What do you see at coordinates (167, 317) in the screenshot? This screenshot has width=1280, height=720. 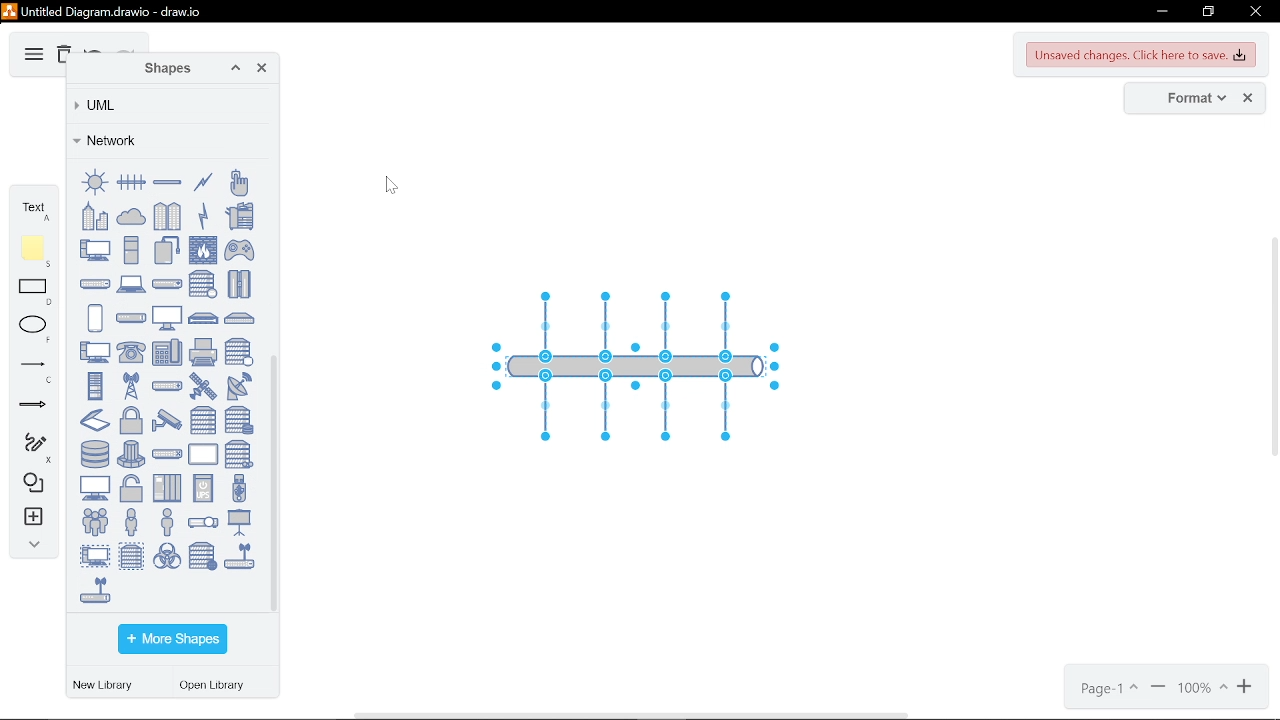 I see `monitor` at bounding box center [167, 317].